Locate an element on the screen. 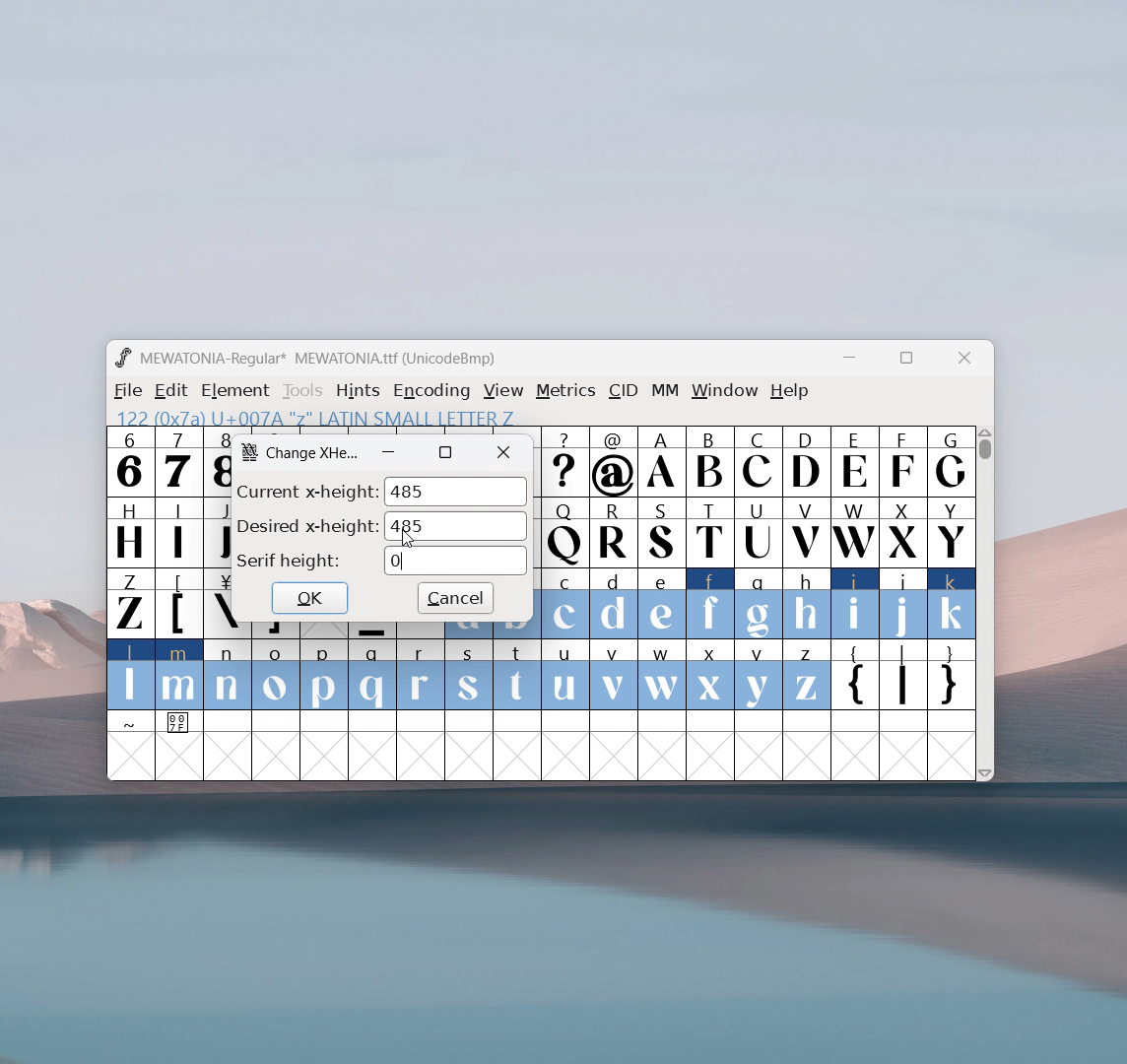  serif height: is located at coordinates (289, 562).